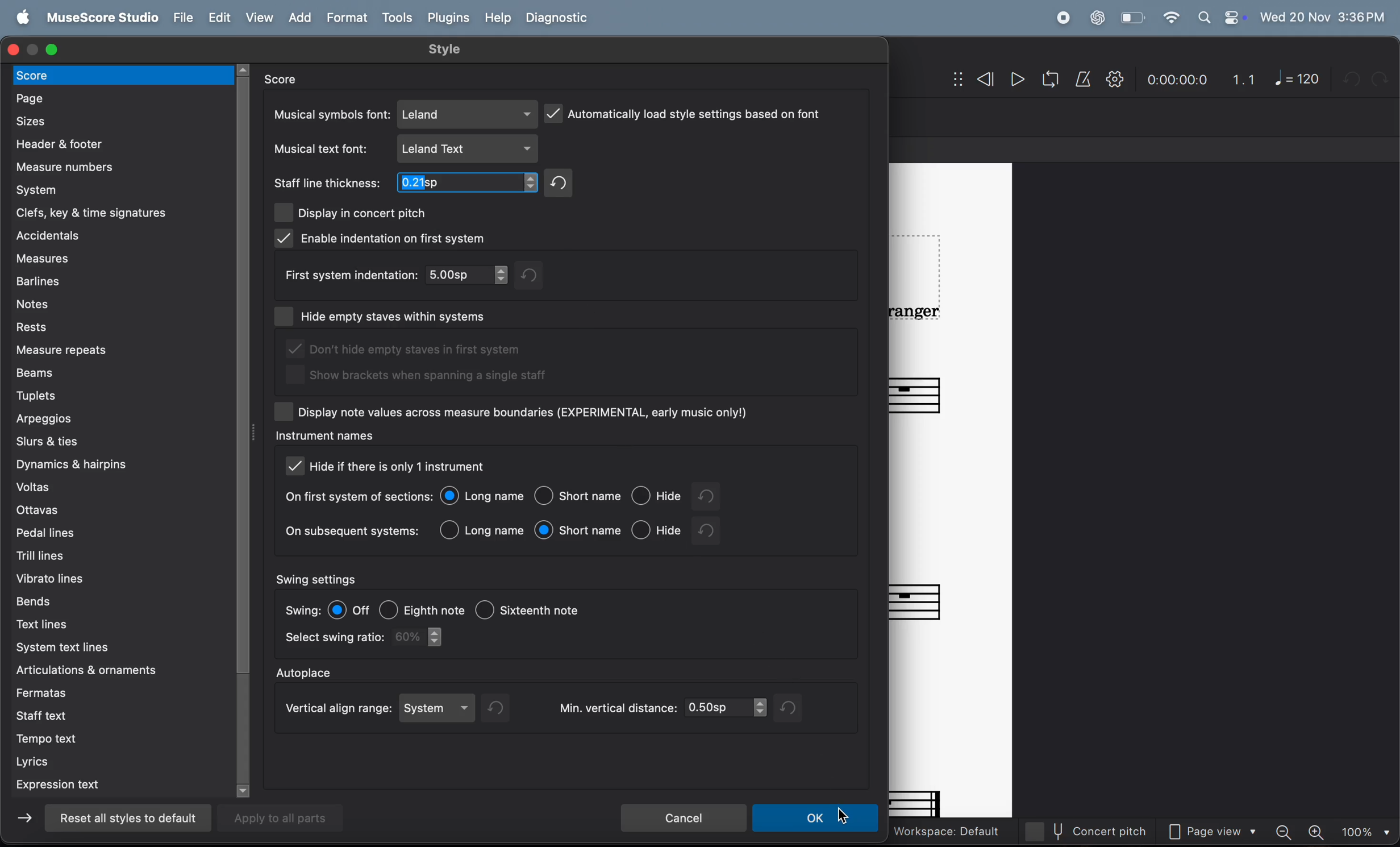  I want to click on hide empty staveswith system, so click(411, 314).